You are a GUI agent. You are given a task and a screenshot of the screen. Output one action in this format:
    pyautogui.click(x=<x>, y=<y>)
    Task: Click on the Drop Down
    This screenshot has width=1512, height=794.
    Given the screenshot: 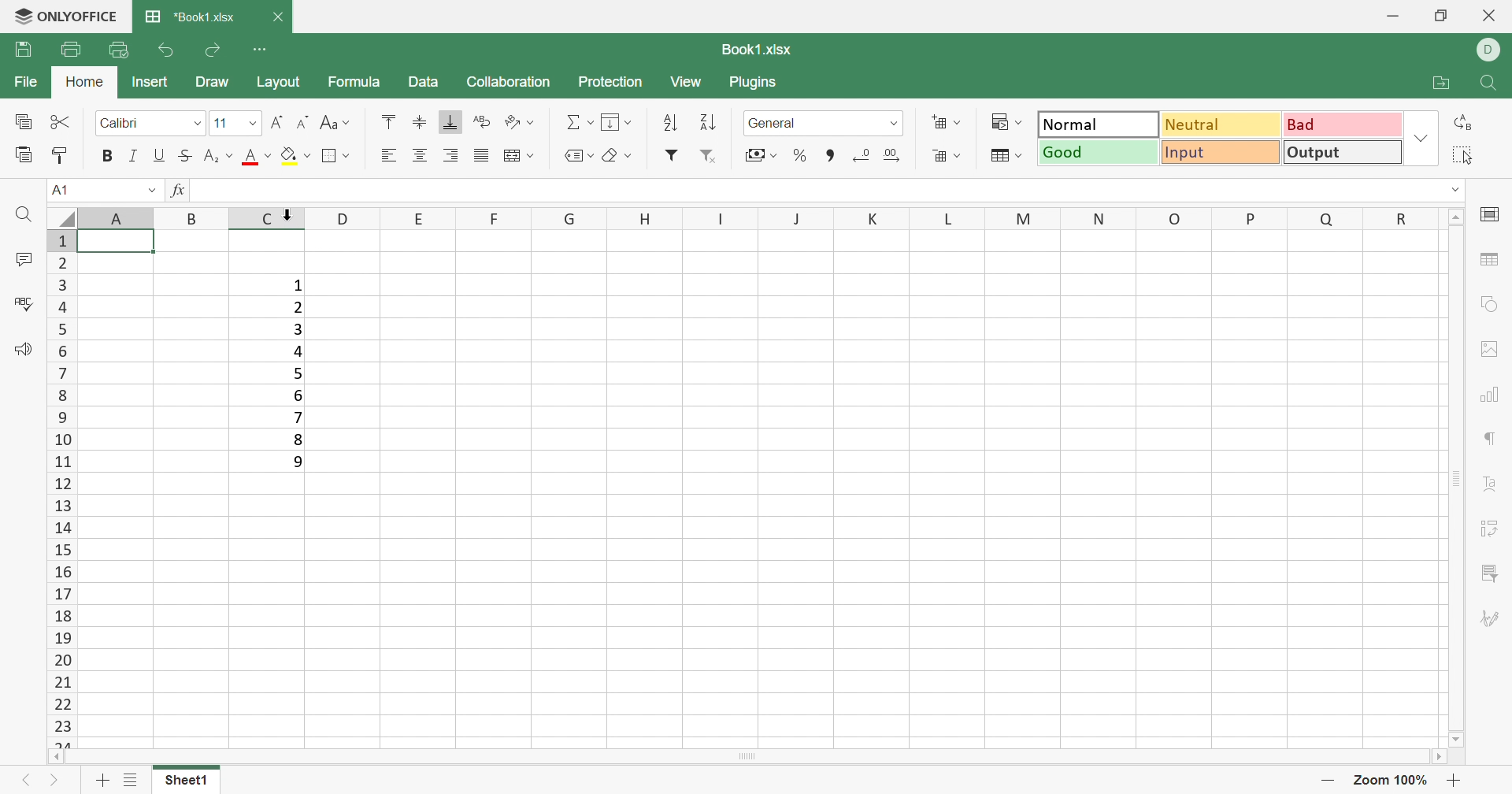 What is the action you would take?
    pyautogui.click(x=254, y=126)
    